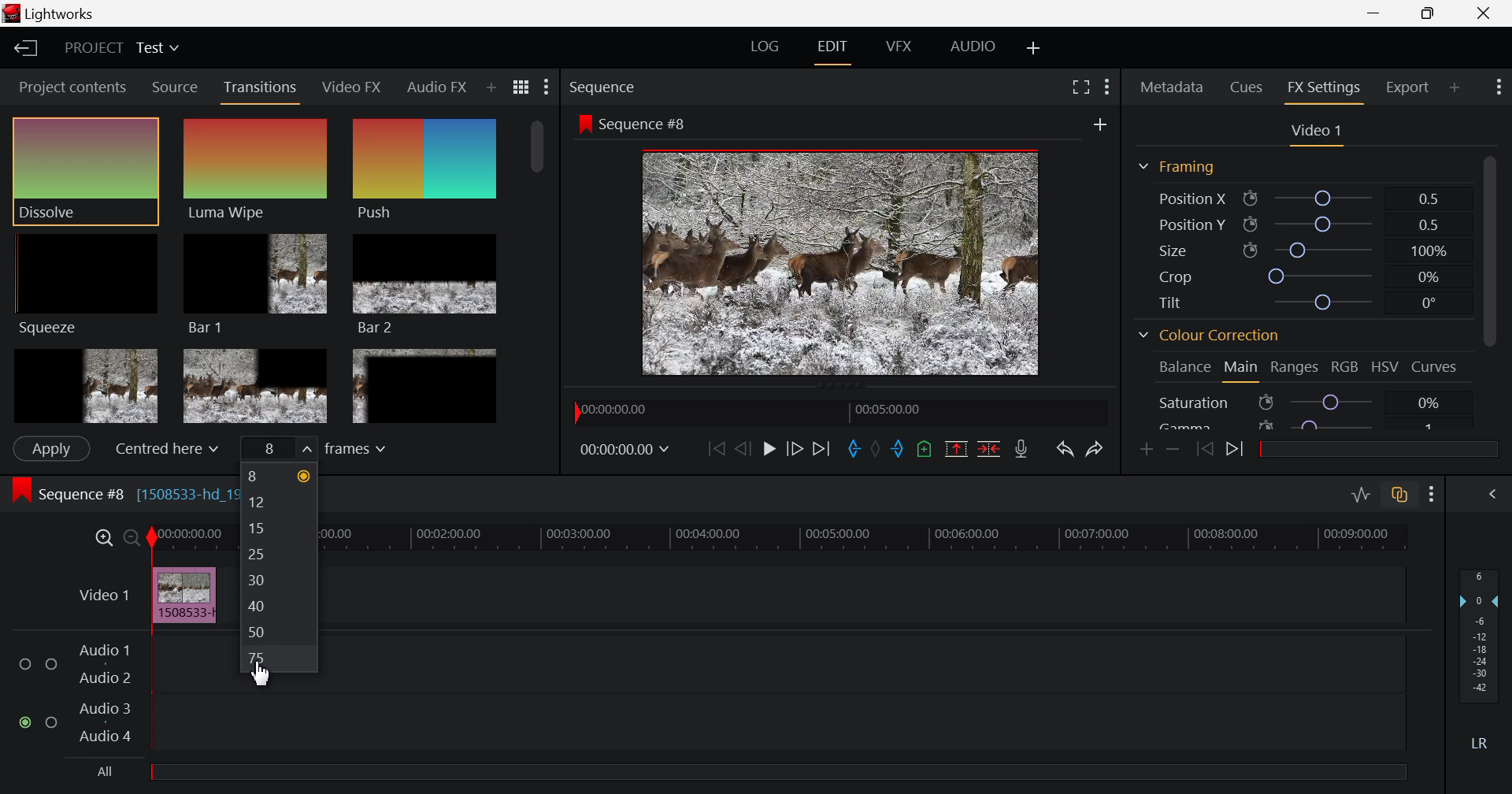  I want to click on show Settings, so click(1109, 88).